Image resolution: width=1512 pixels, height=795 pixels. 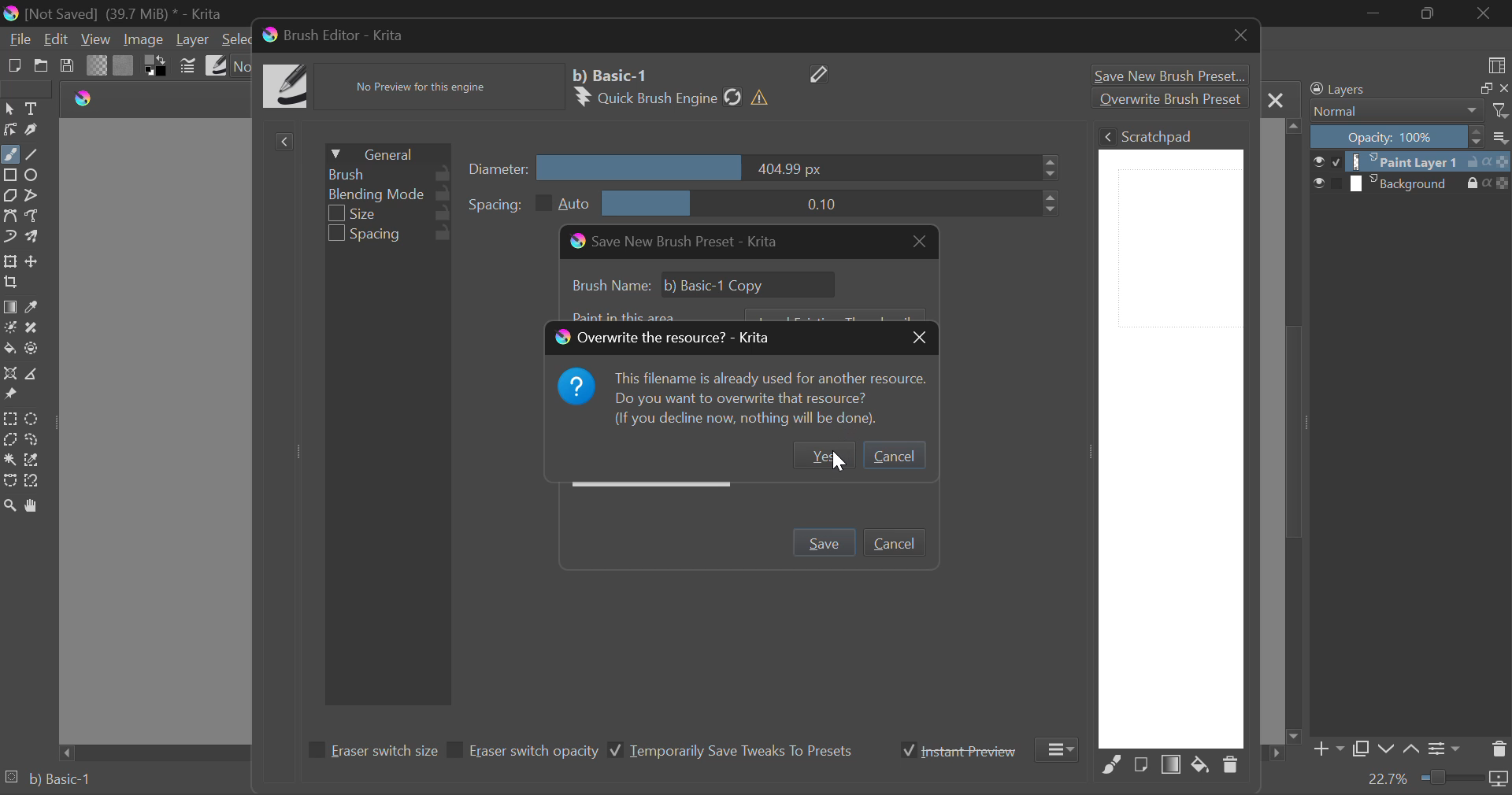 I want to click on Fill area with background color, so click(x=1199, y=766).